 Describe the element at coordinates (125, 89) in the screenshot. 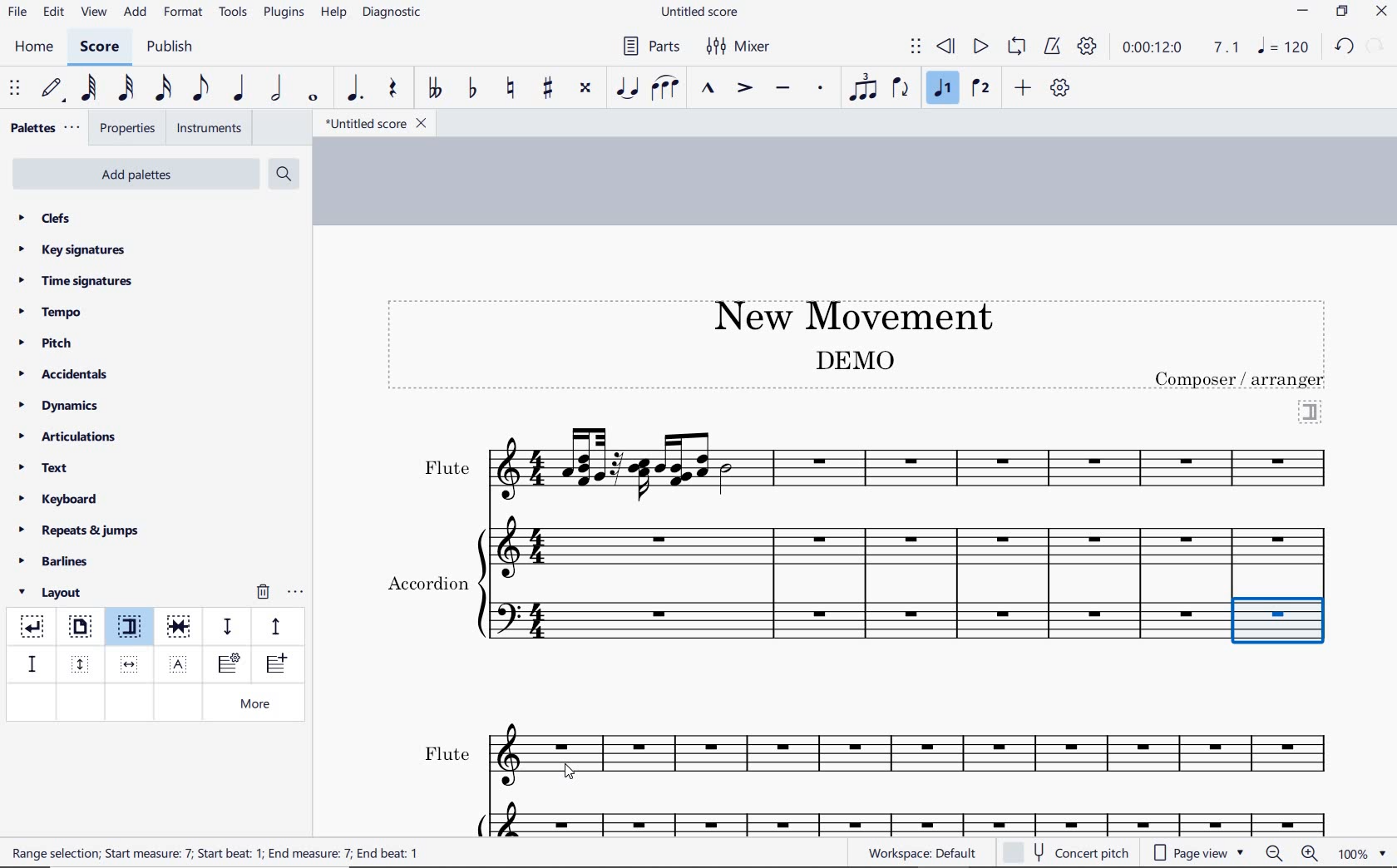

I see `32nd note` at that location.